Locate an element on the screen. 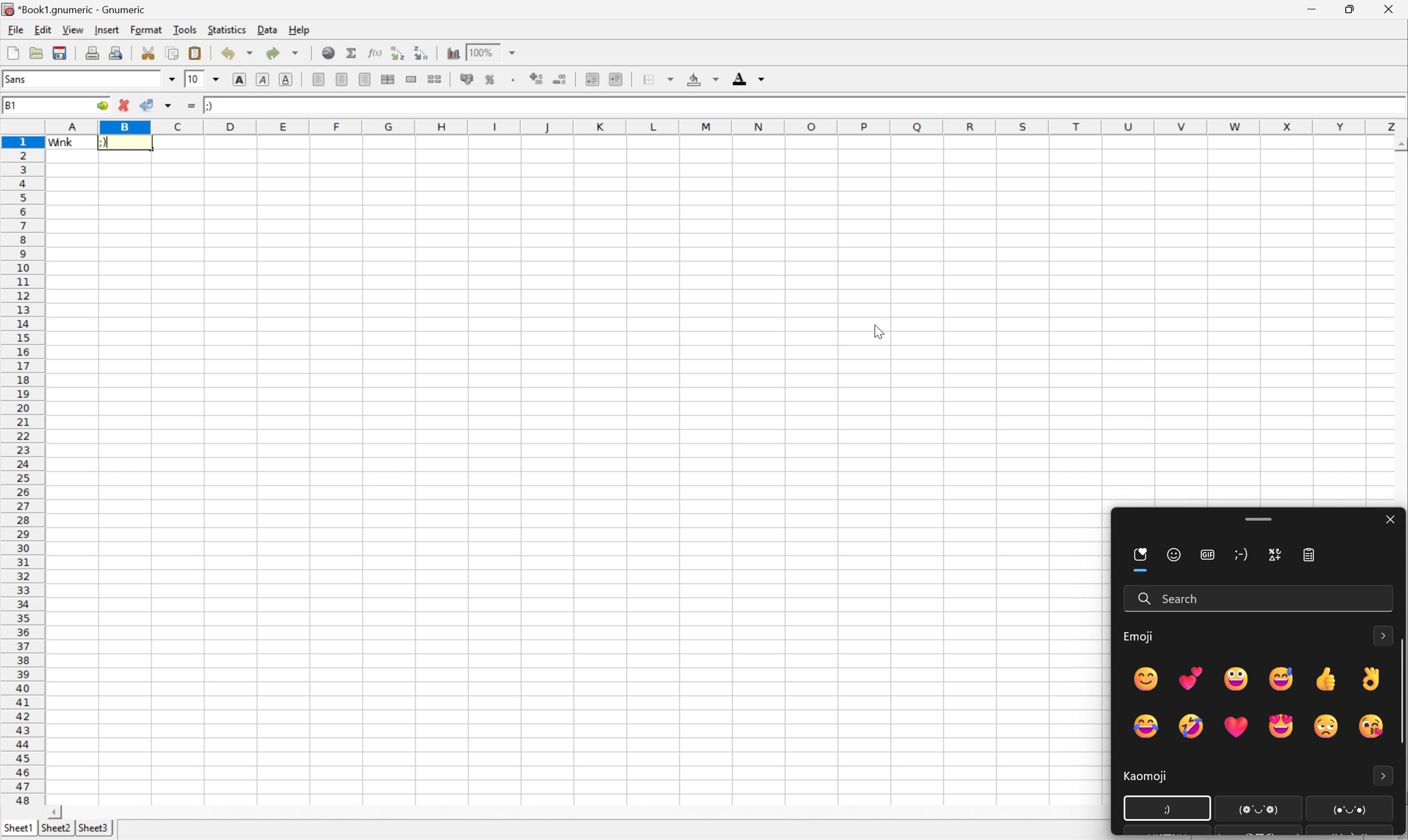  paste is located at coordinates (196, 53).